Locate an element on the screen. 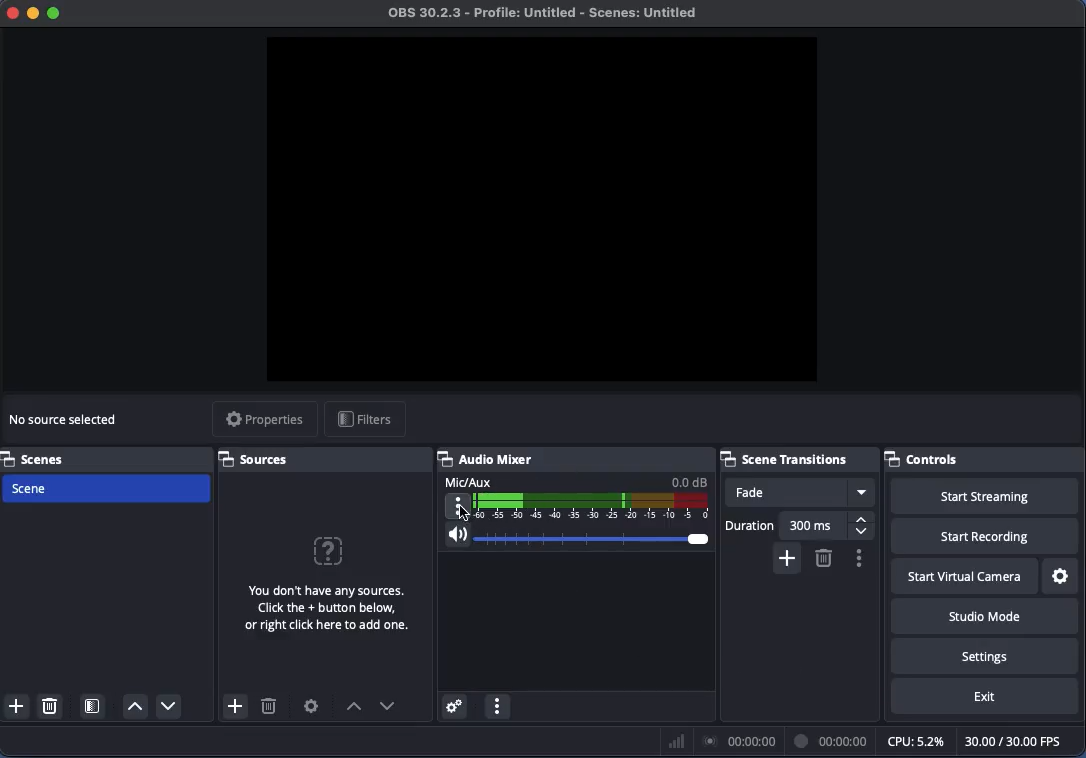 Image resolution: width=1086 pixels, height=758 pixels. Scenes is located at coordinates (39, 457).